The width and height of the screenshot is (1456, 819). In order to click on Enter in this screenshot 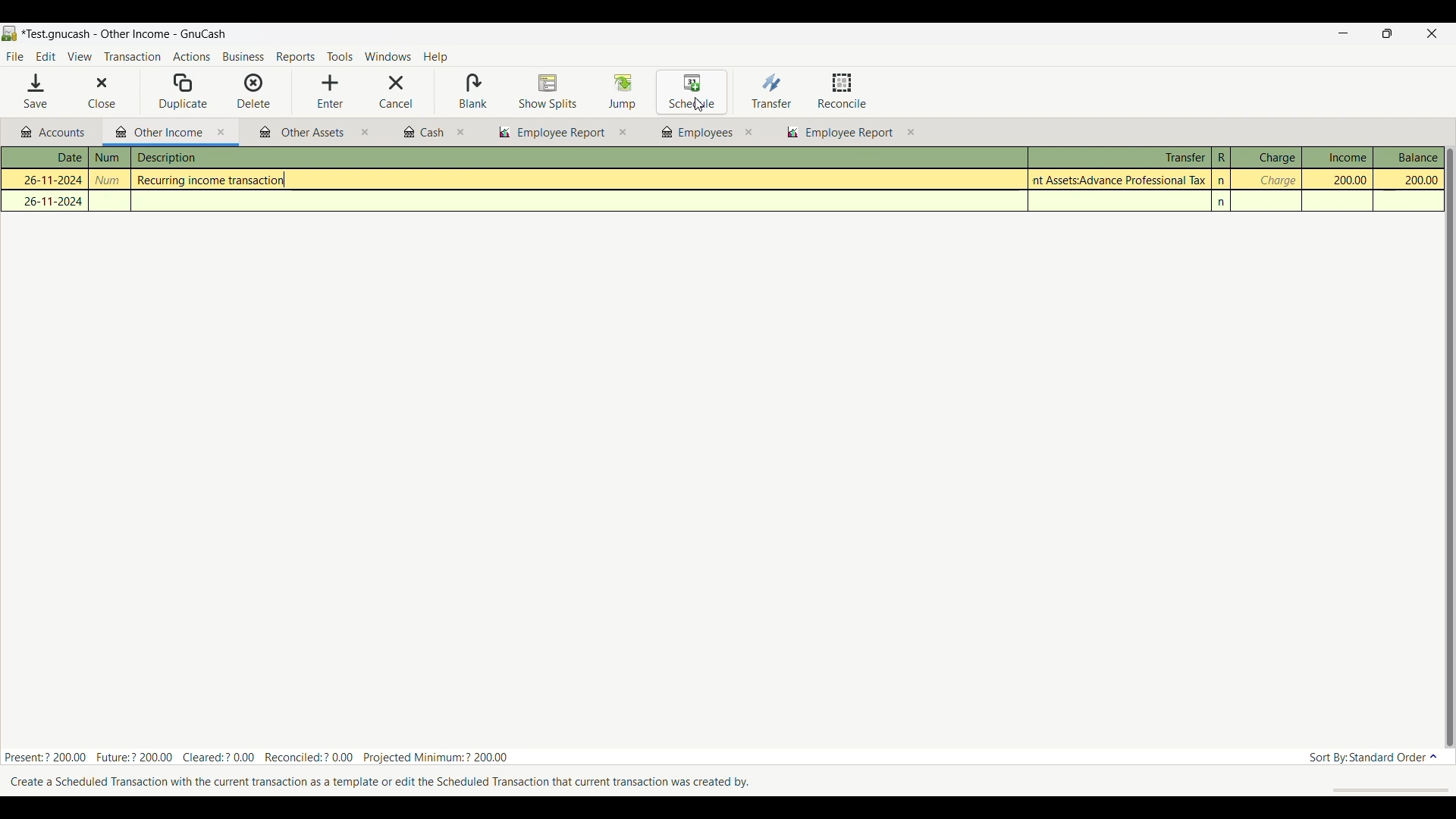, I will do `click(330, 92)`.